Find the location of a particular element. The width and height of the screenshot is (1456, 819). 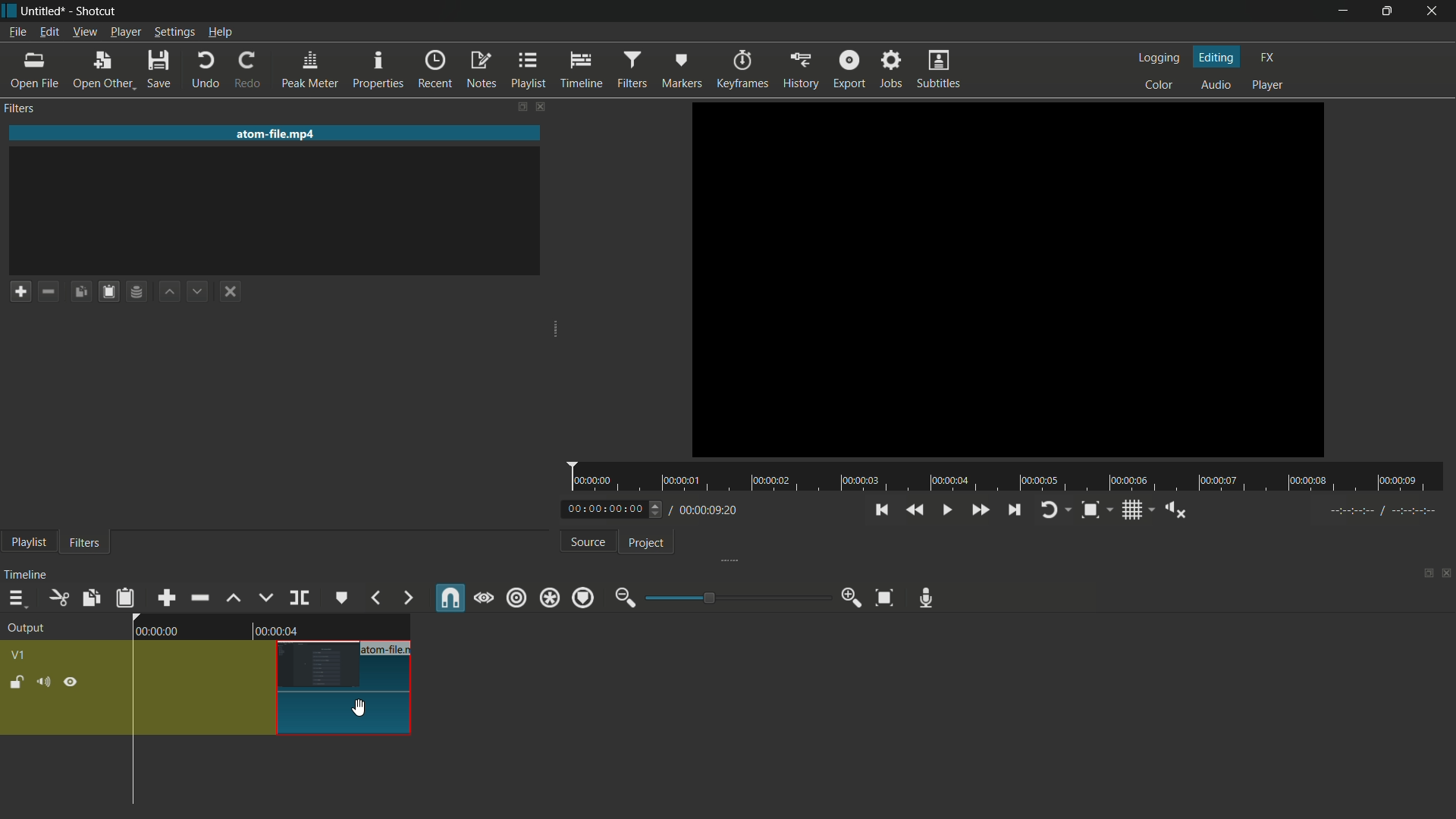

move filter up is located at coordinates (168, 291).